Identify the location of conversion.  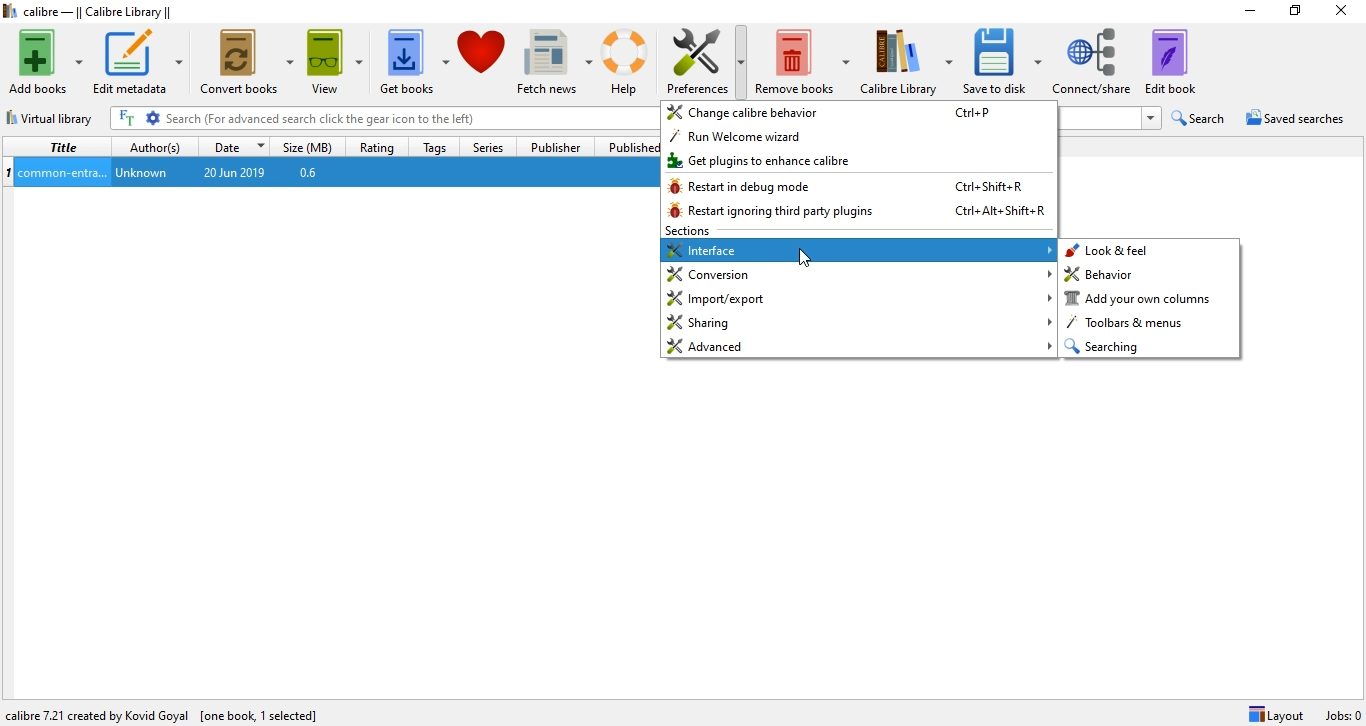
(858, 274).